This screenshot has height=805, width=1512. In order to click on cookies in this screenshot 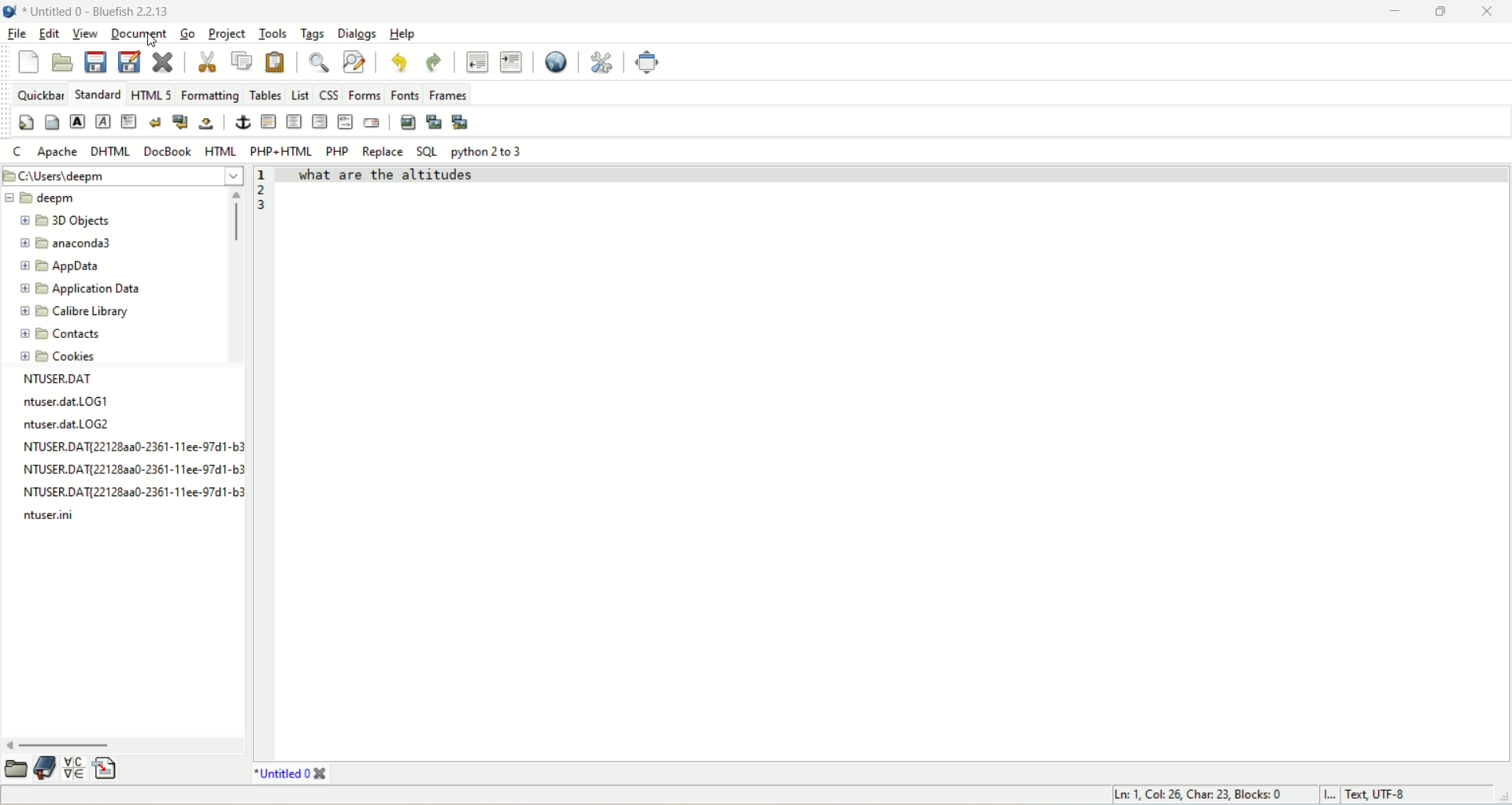, I will do `click(61, 356)`.